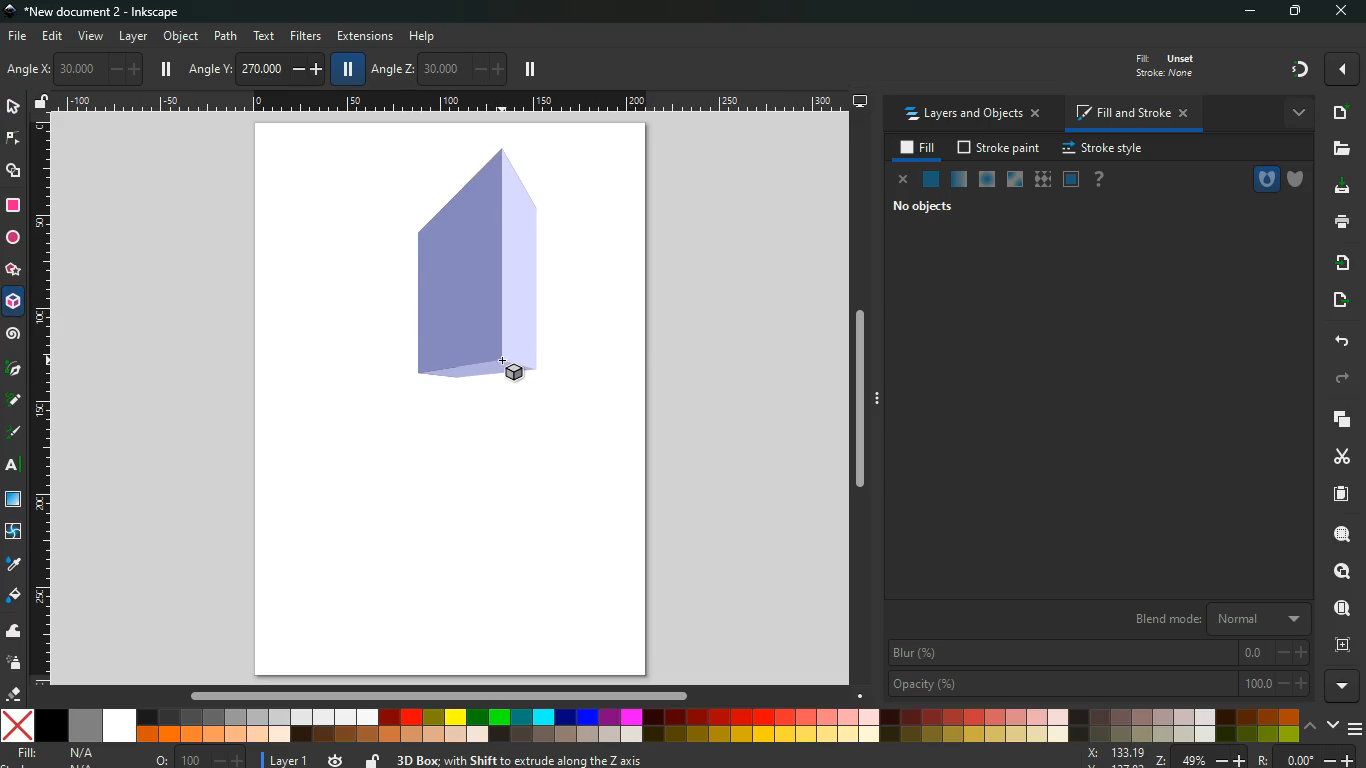 Image resolution: width=1366 pixels, height=768 pixels. What do you see at coordinates (14, 139) in the screenshot?
I see `edge` at bounding box center [14, 139].